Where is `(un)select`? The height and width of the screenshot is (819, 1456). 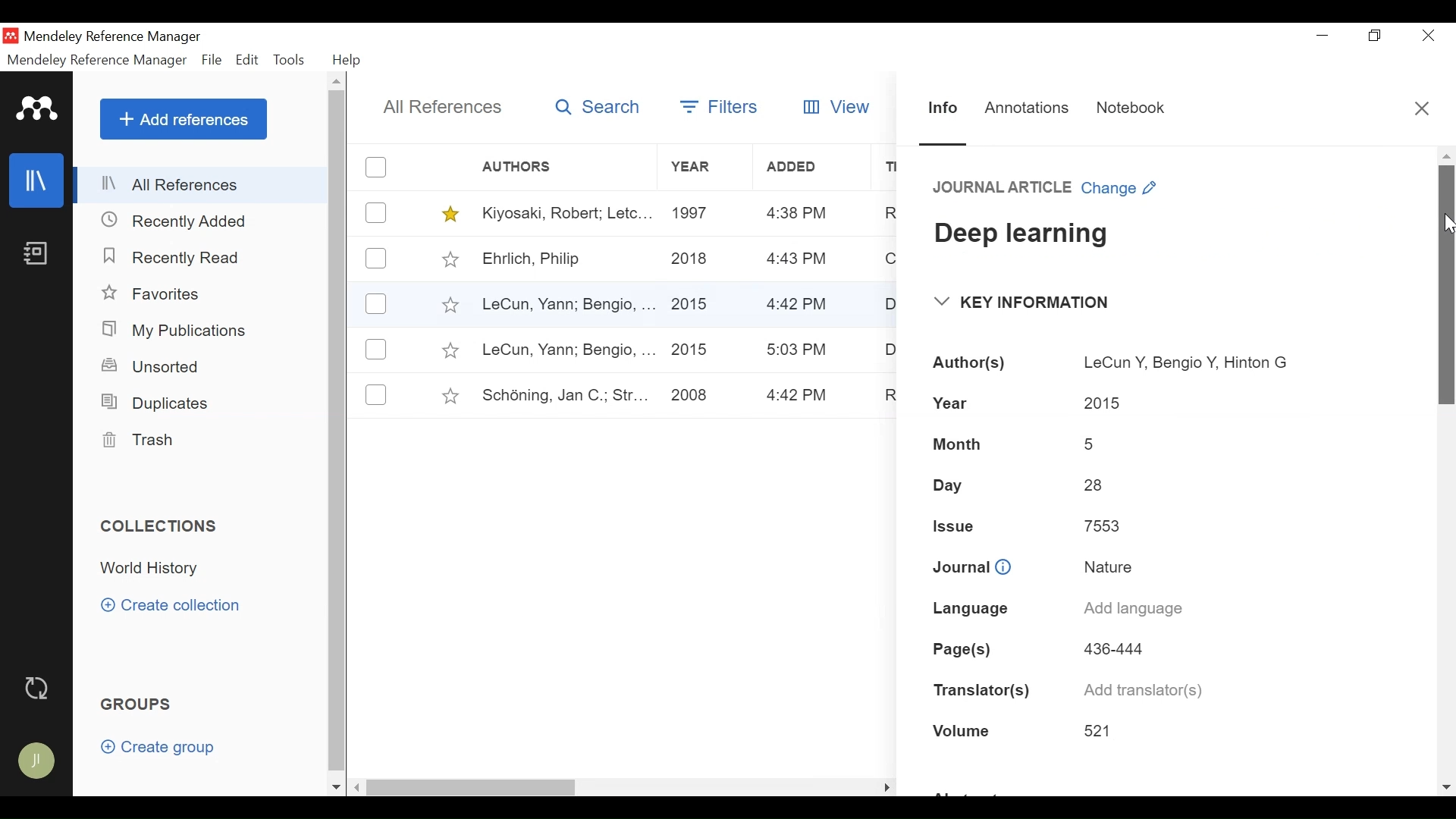
(un)select is located at coordinates (376, 213).